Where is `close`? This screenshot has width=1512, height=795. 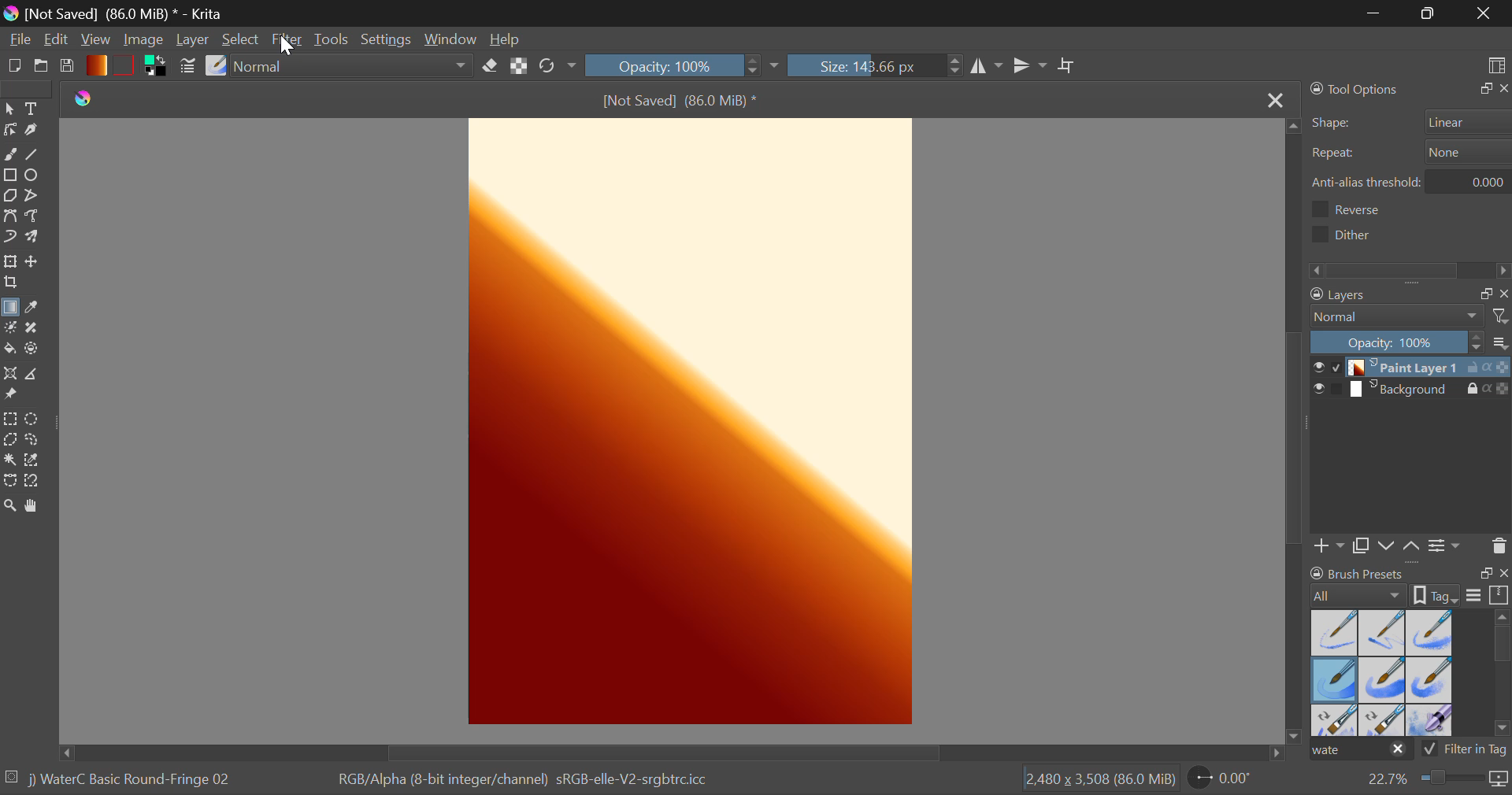
close is located at coordinates (1503, 89).